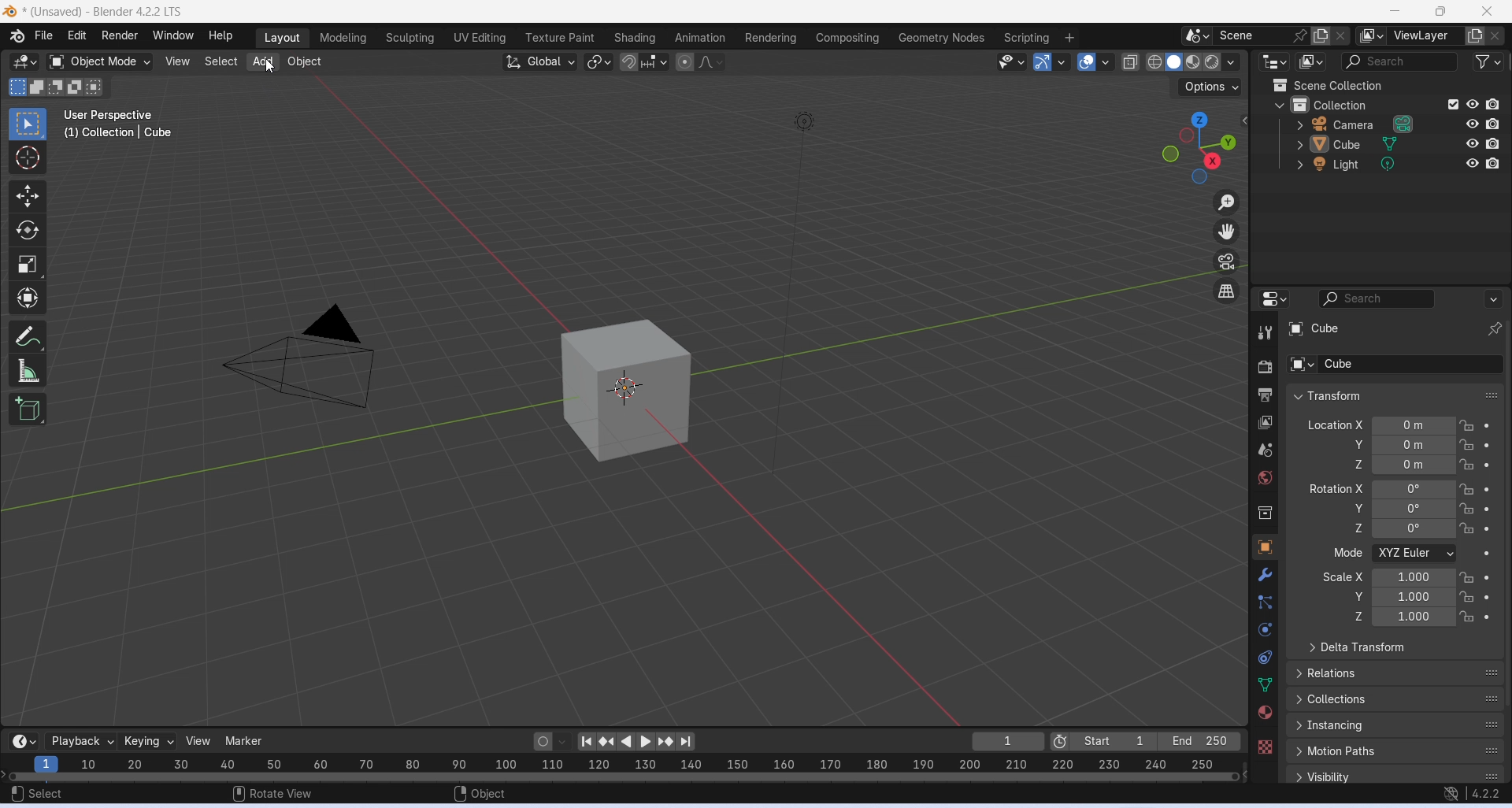 The width and height of the screenshot is (1512, 808). Describe the element at coordinates (1453, 103) in the screenshot. I see `execute from view layer` at that location.